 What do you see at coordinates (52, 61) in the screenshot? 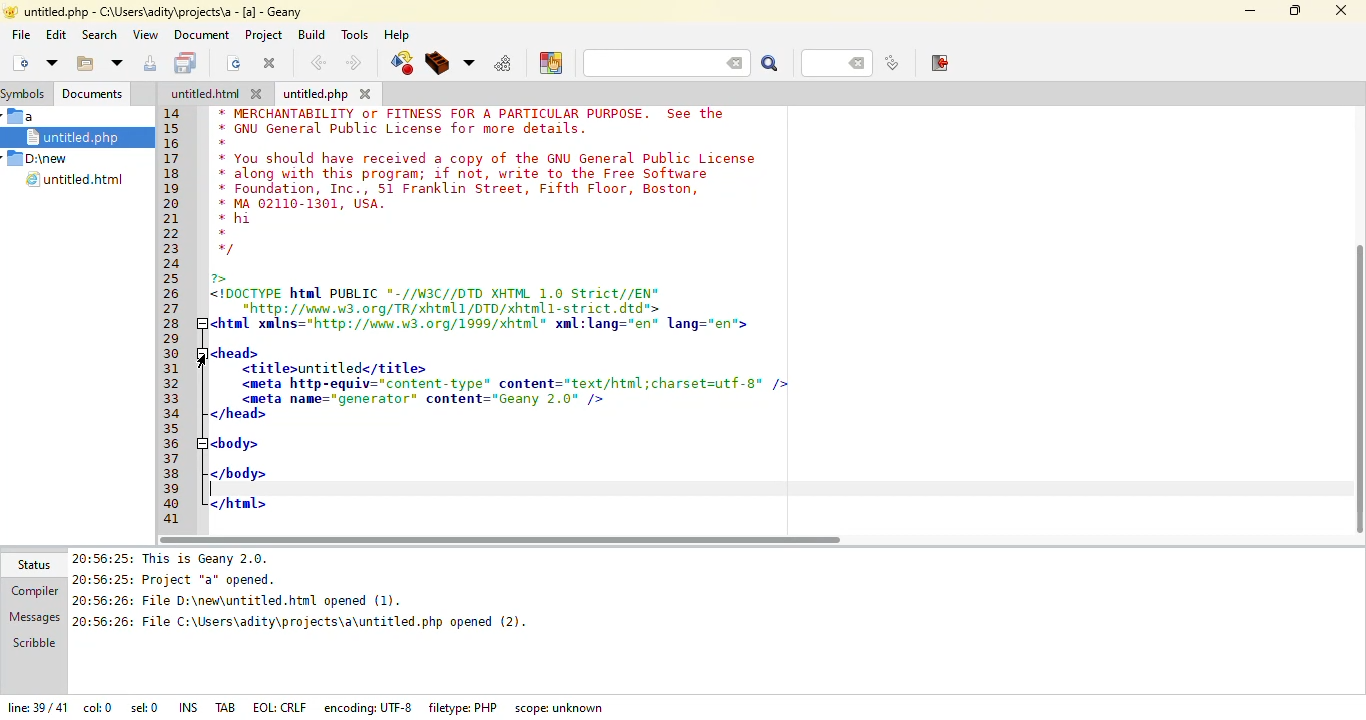
I see `open file` at bounding box center [52, 61].